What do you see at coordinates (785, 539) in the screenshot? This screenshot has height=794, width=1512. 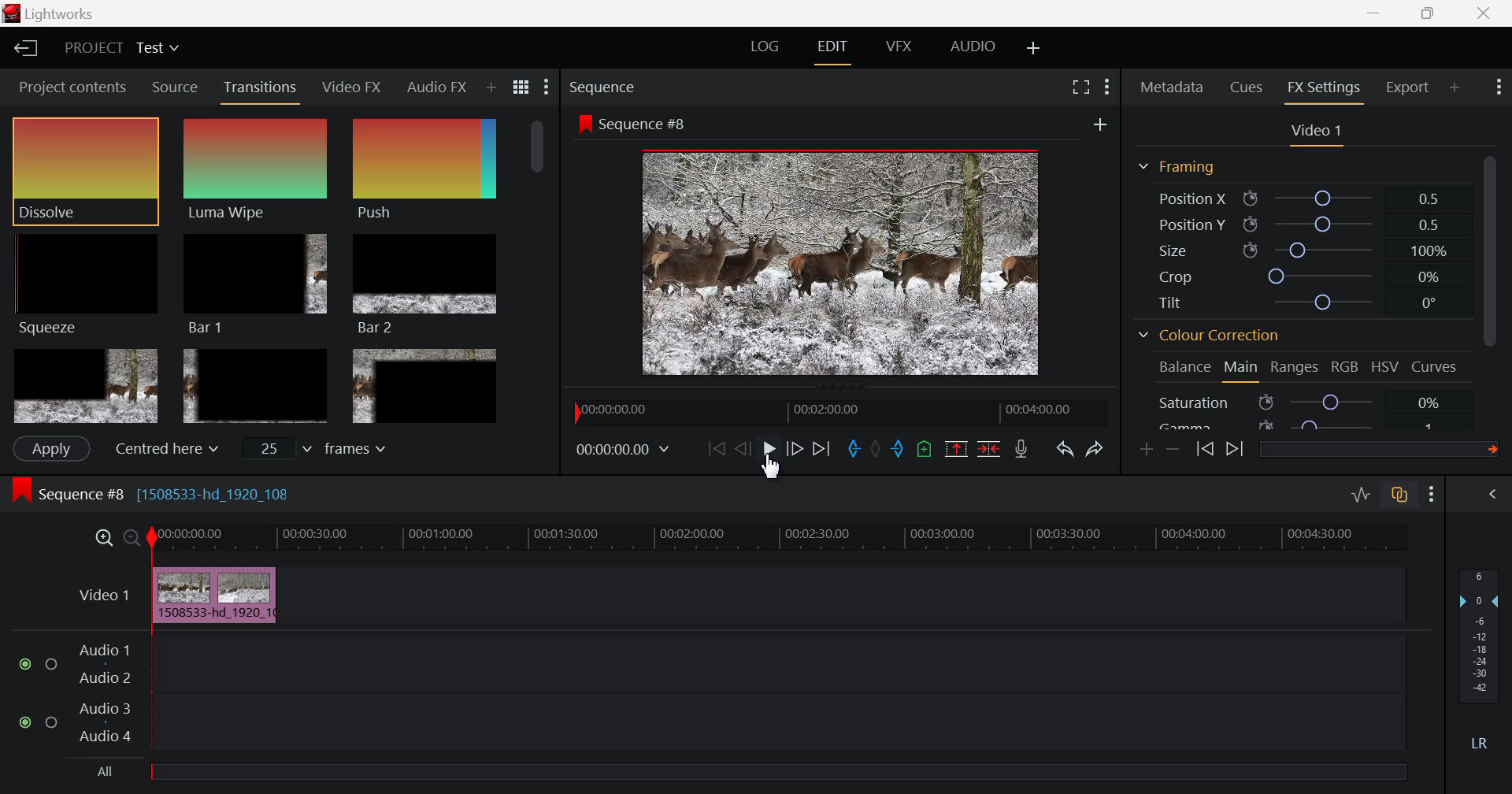 I see `Project Timeline` at bounding box center [785, 539].